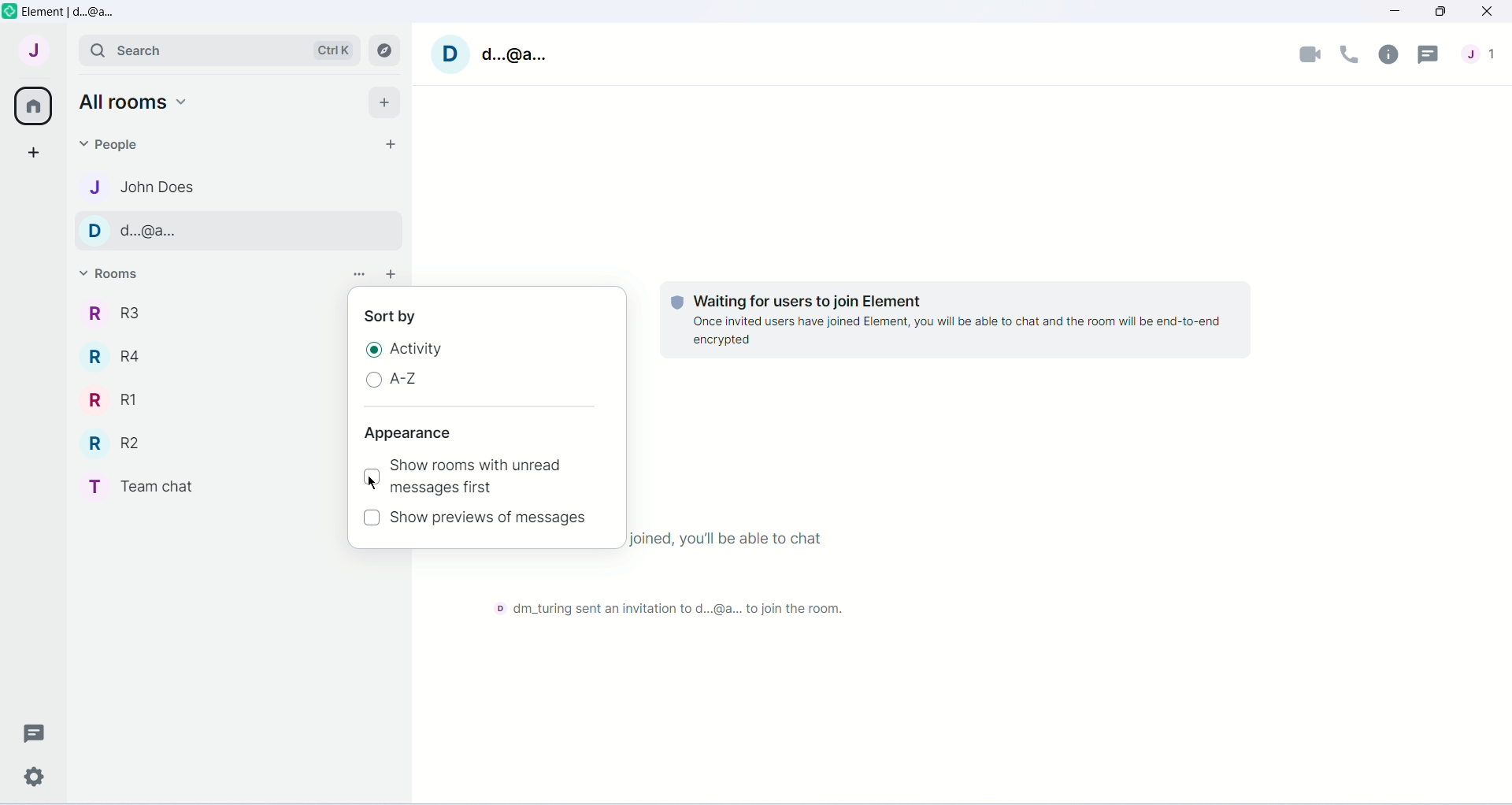 The height and width of the screenshot is (805, 1512). What do you see at coordinates (372, 517) in the screenshot?
I see `Checkbox unchecked` at bounding box center [372, 517].